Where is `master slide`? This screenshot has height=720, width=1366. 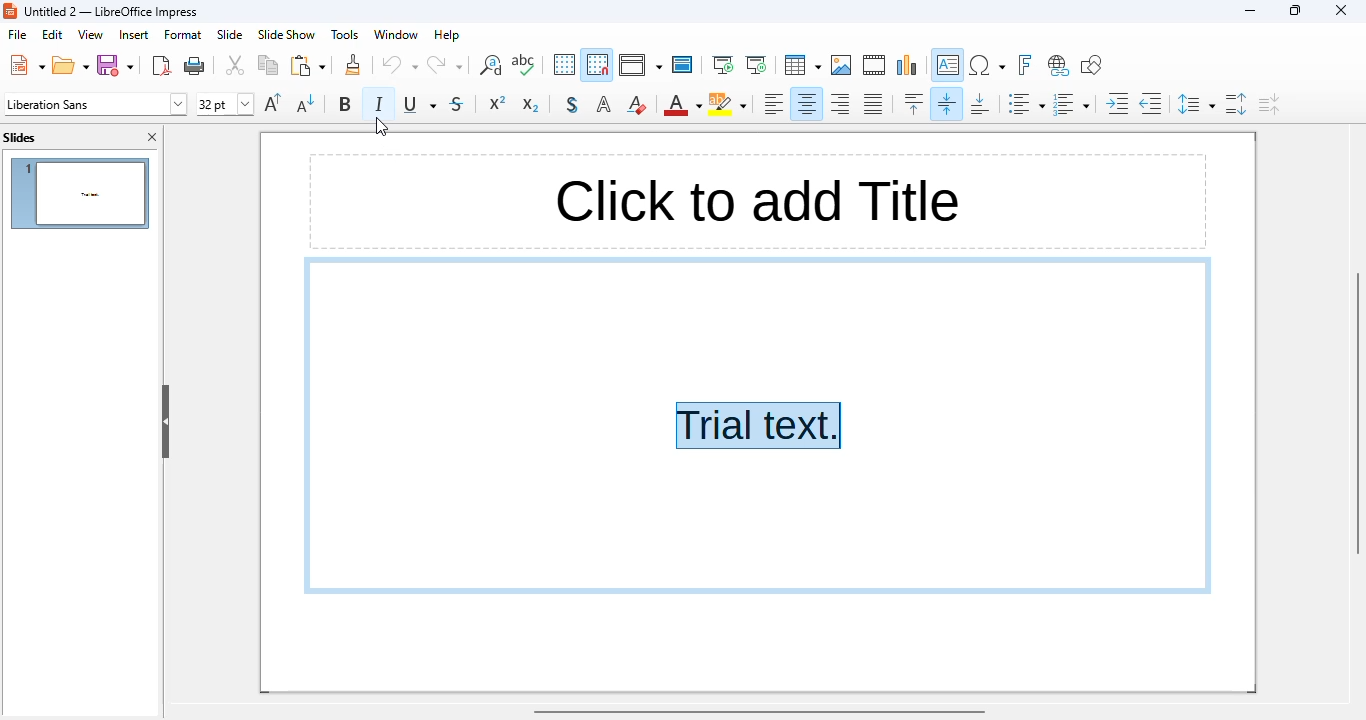 master slide is located at coordinates (682, 65).